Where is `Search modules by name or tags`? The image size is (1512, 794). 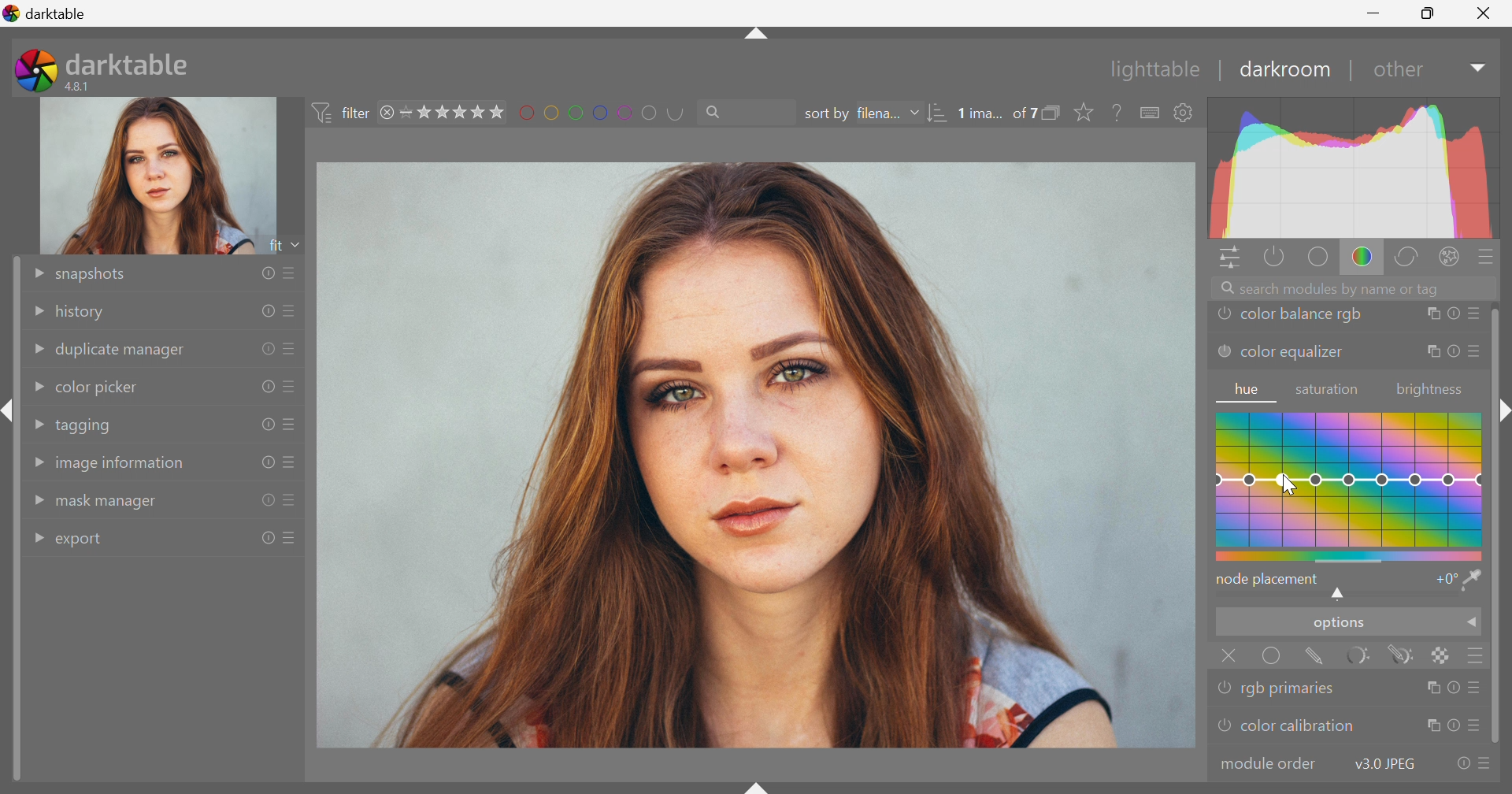 Search modules by name or tags is located at coordinates (1357, 288).